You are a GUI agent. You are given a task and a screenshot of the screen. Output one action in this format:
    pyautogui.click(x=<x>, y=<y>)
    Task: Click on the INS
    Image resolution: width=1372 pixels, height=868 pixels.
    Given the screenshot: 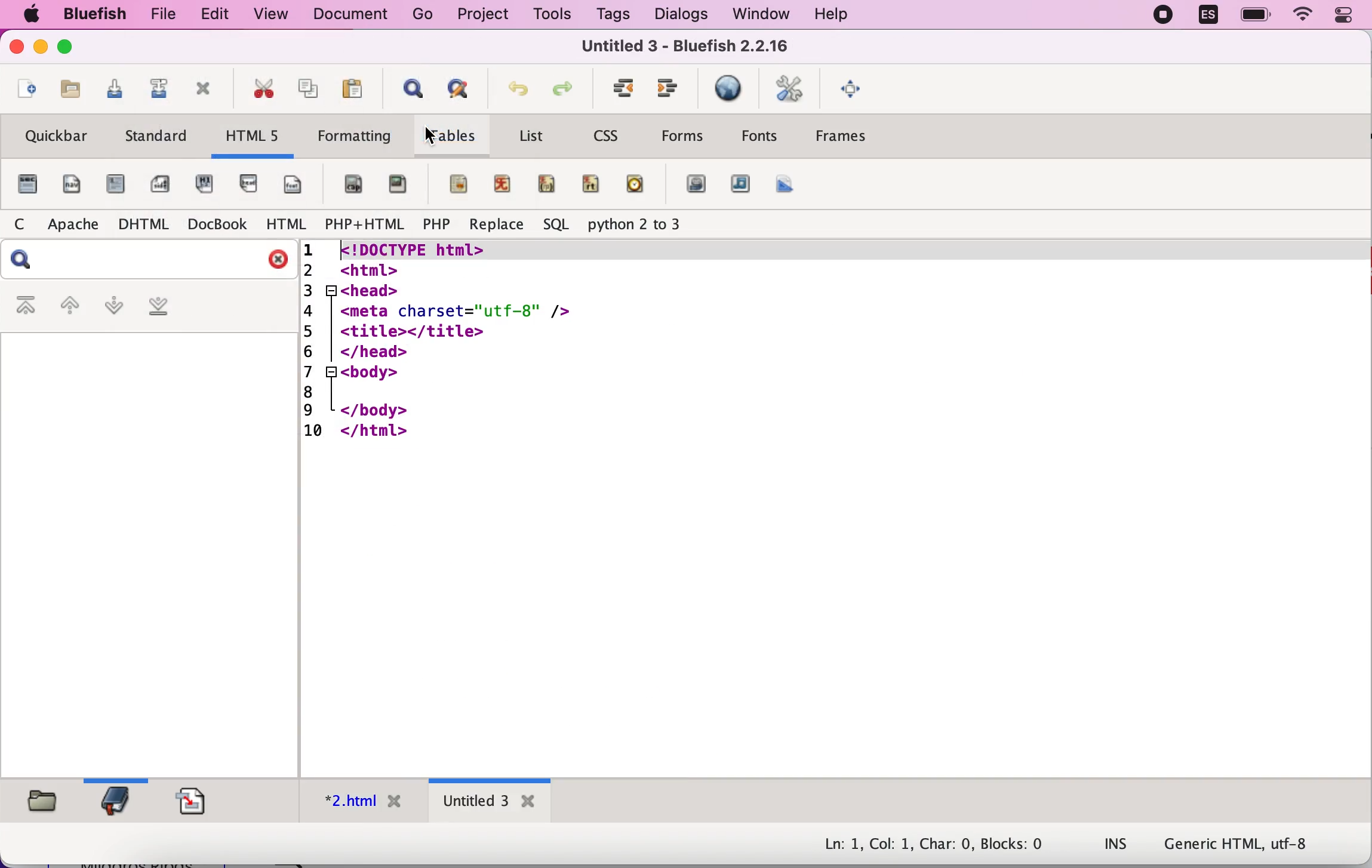 What is the action you would take?
    pyautogui.click(x=1115, y=842)
    